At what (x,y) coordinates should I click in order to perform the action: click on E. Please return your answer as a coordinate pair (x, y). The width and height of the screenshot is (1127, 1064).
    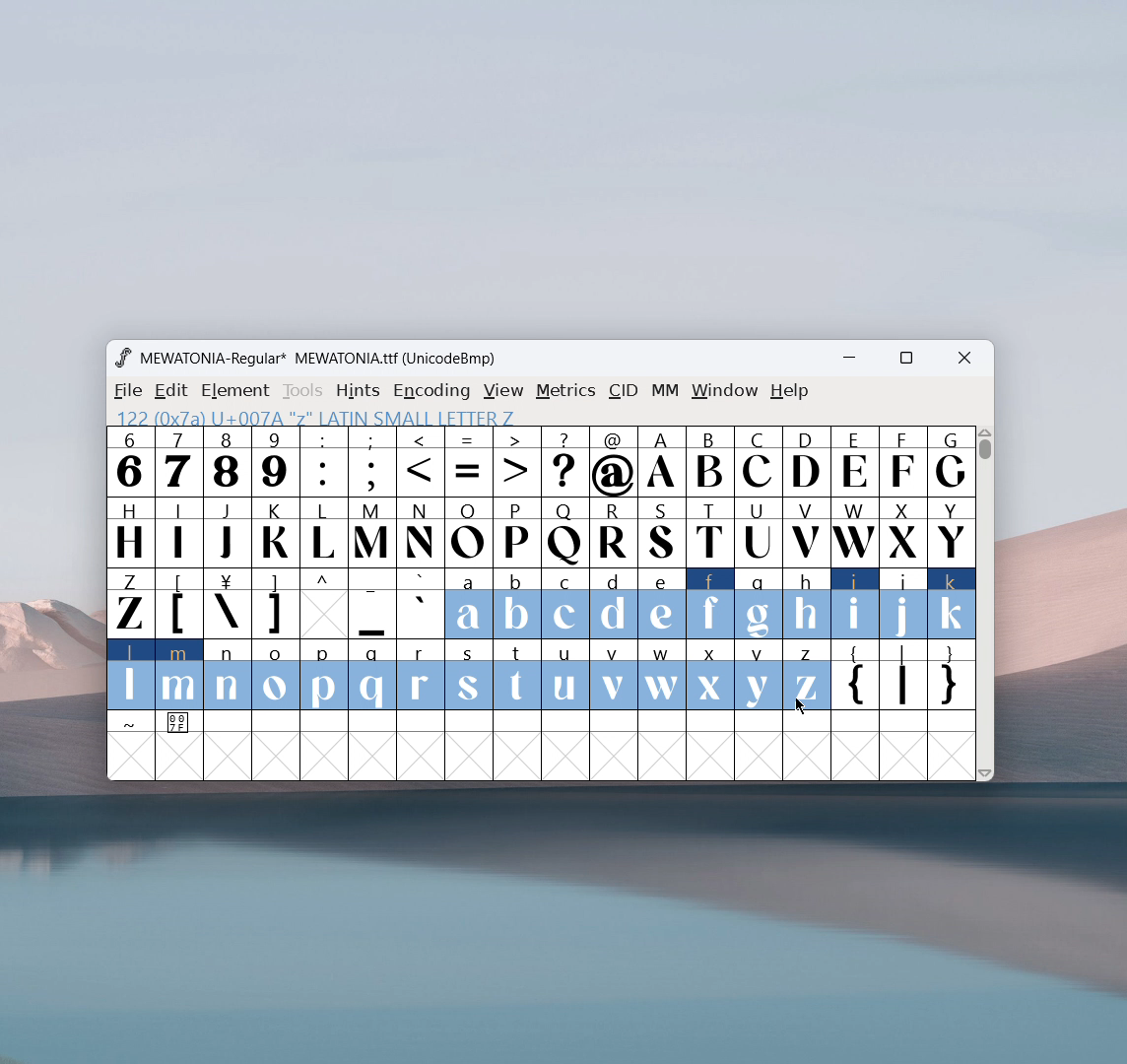
    Looking at the image, I should click on (854, 461).